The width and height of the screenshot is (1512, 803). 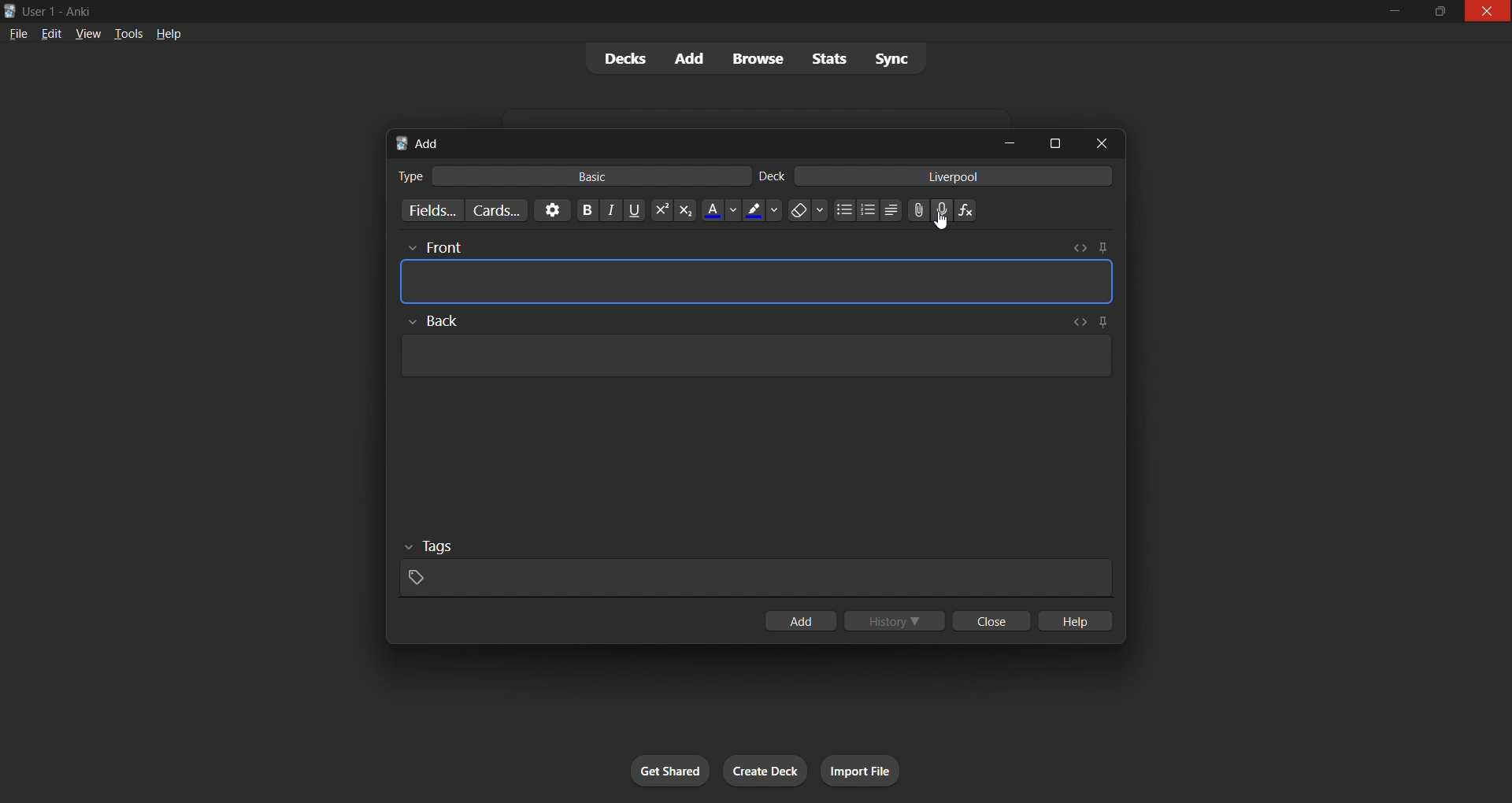 I want to click on italic, so click(x=610, y=212).